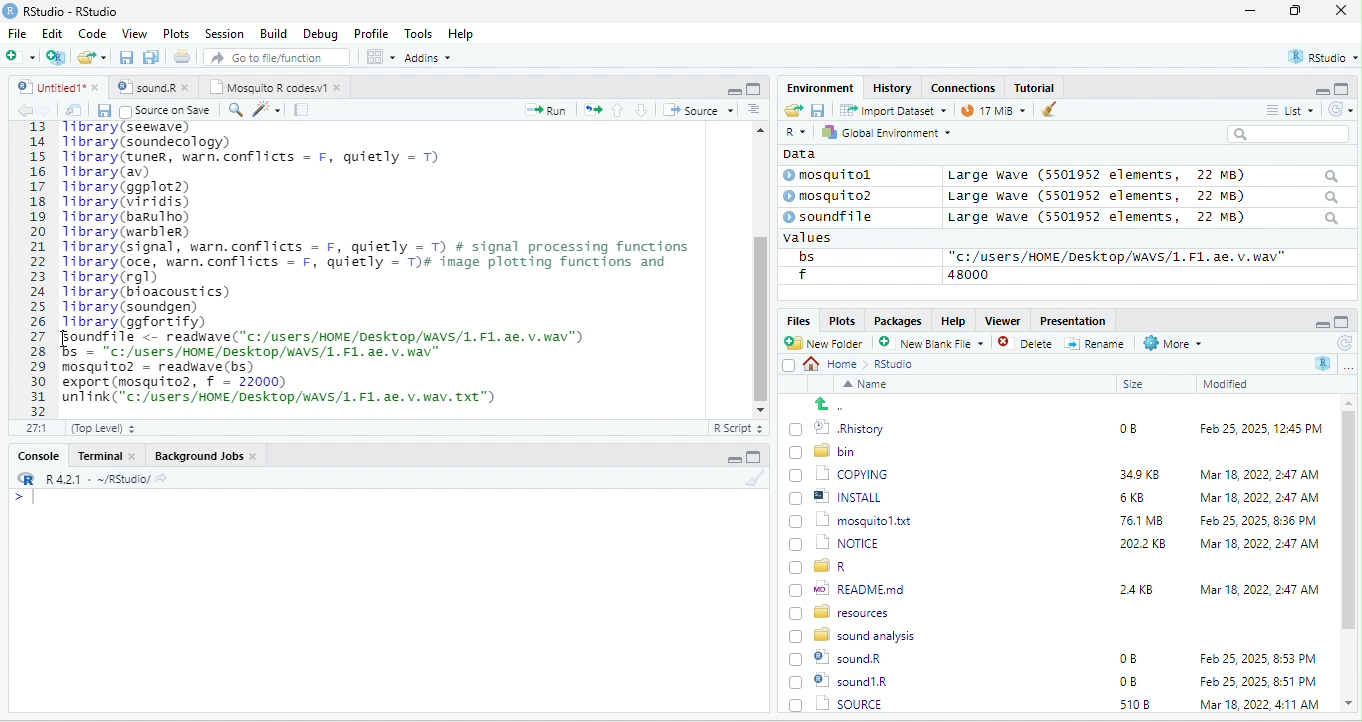 The width and height of the screenshot is (1362, 722). Describe the element at coordinates (1028, 344) in the screenshot. I see `Delete` at that location.